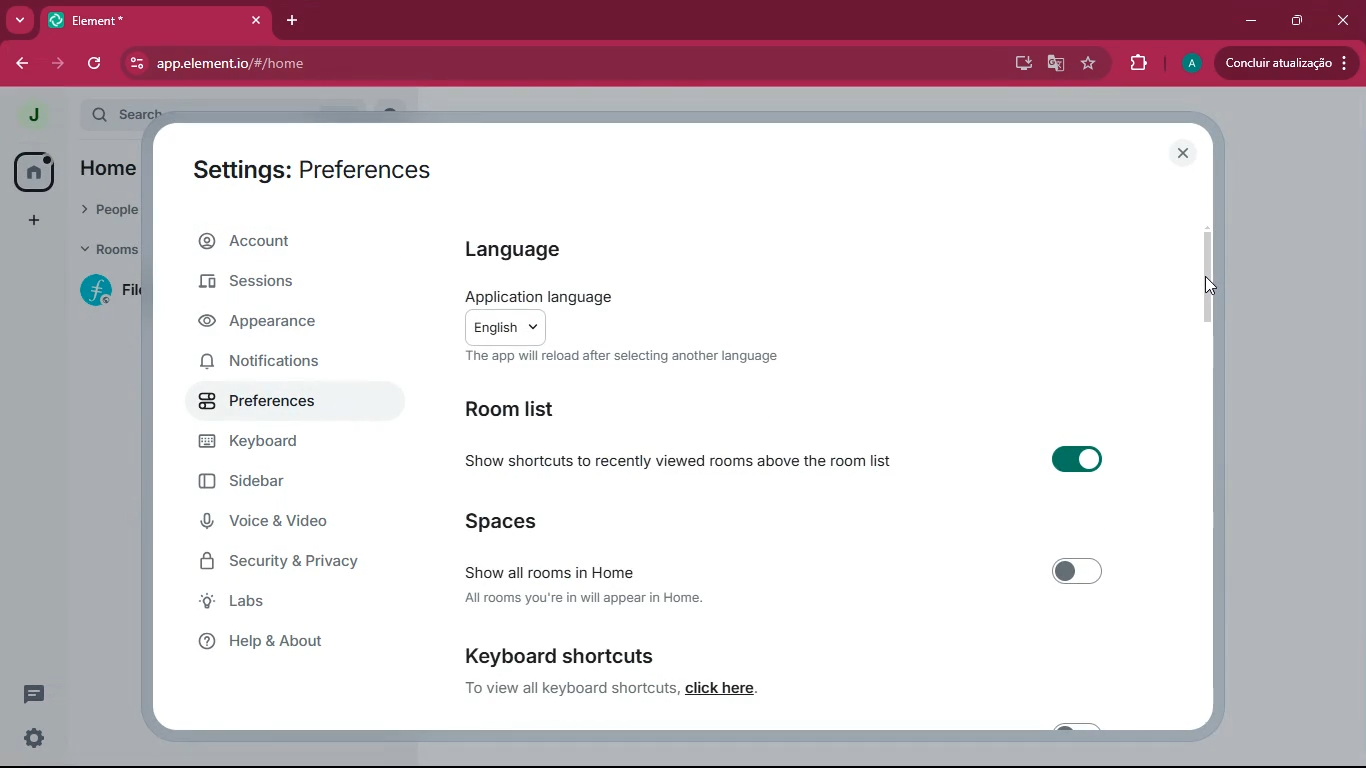 This screenshot has width=1366, height=768. I want to click on voice, so click(276, 523).